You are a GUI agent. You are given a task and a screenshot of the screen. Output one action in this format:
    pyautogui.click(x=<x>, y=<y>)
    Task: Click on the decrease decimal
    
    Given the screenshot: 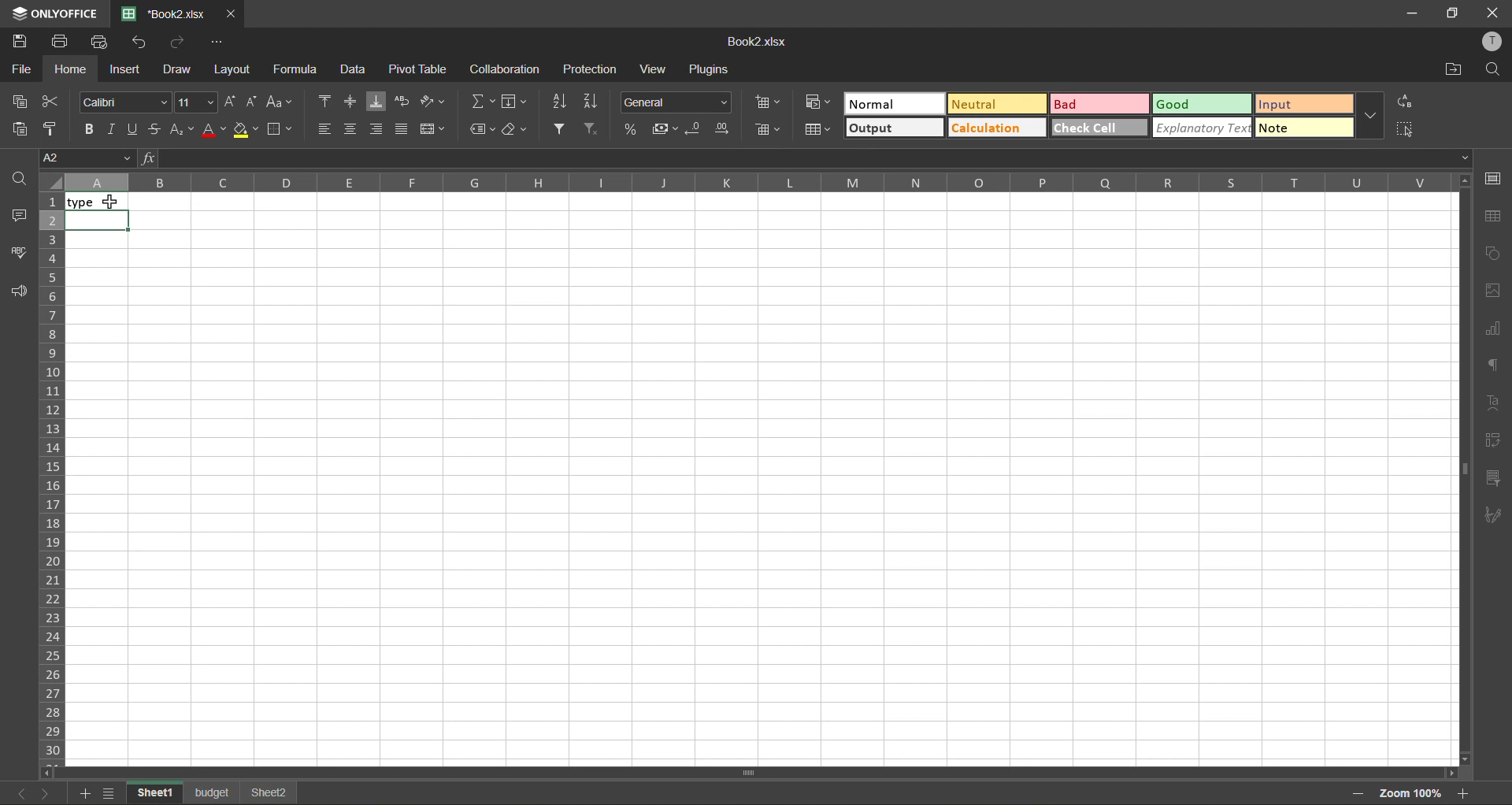 What is the action you would take?
    pyautogui.click(x=698, y=128)
    